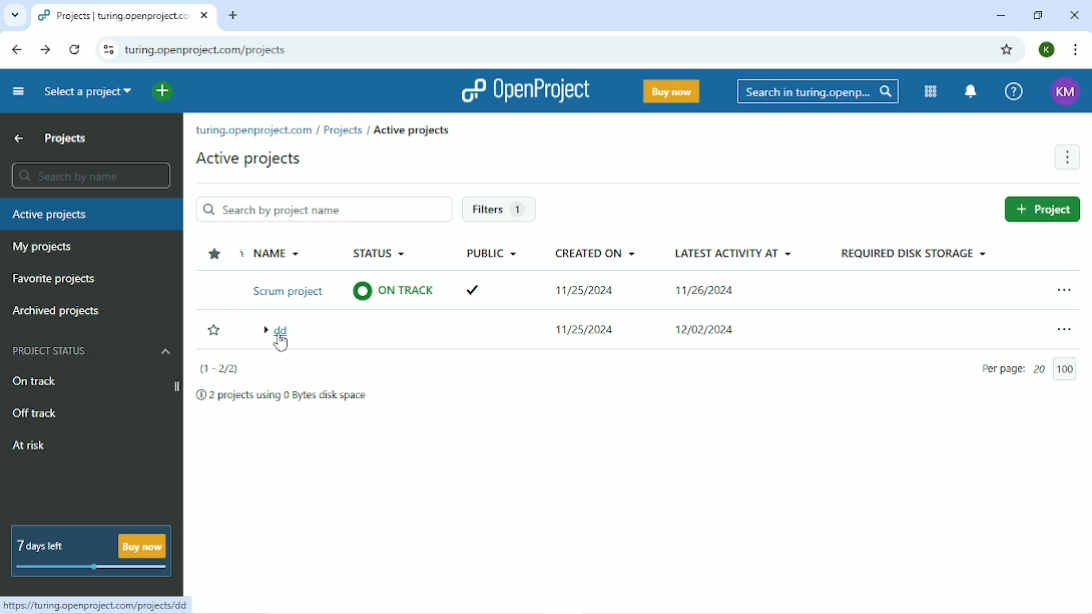 This screenshot has height=614, width=1092. What do you see at coordinates (214, 330) in the screenshot?
I see `Add to favorite` at bounding box center [214, 330].